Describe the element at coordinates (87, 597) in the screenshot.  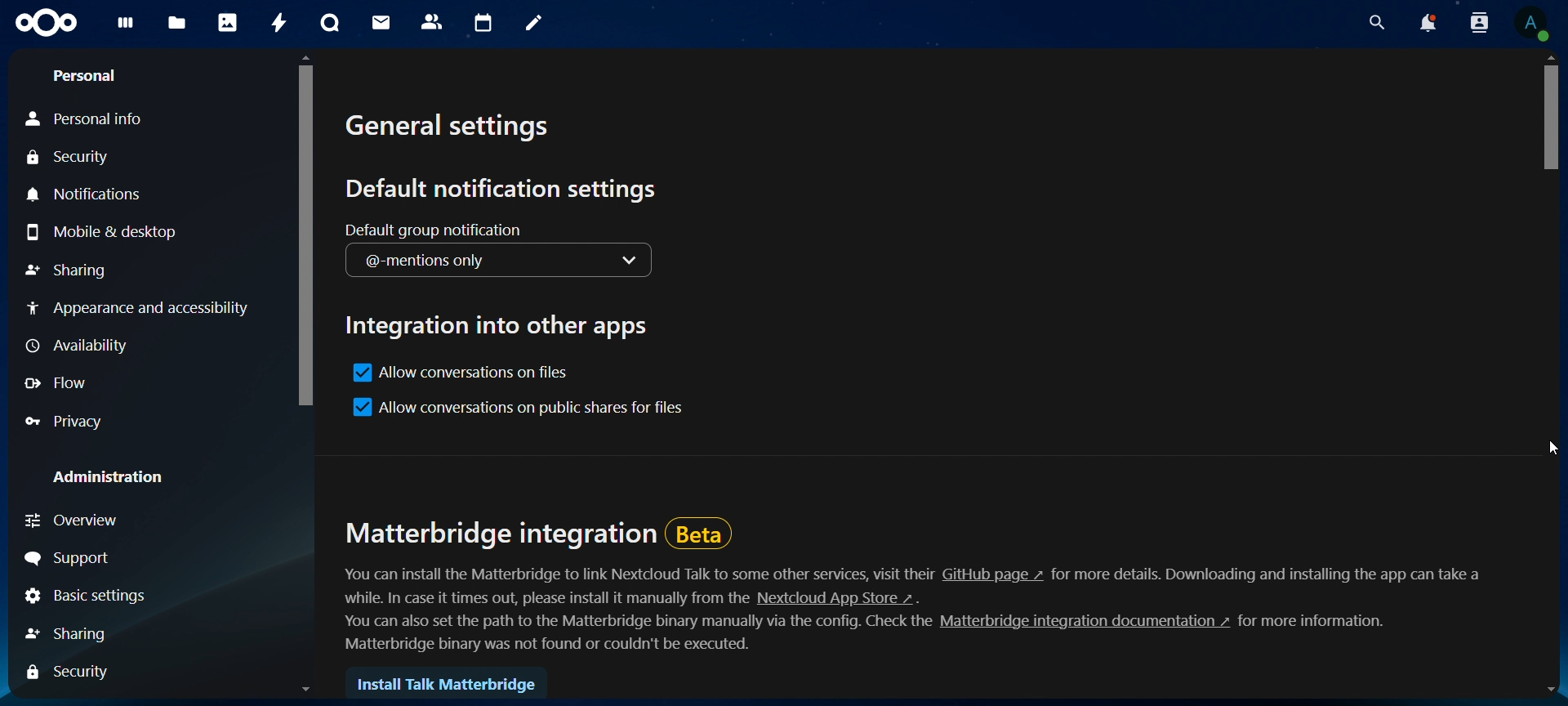
I see `Basic settings` at that location.